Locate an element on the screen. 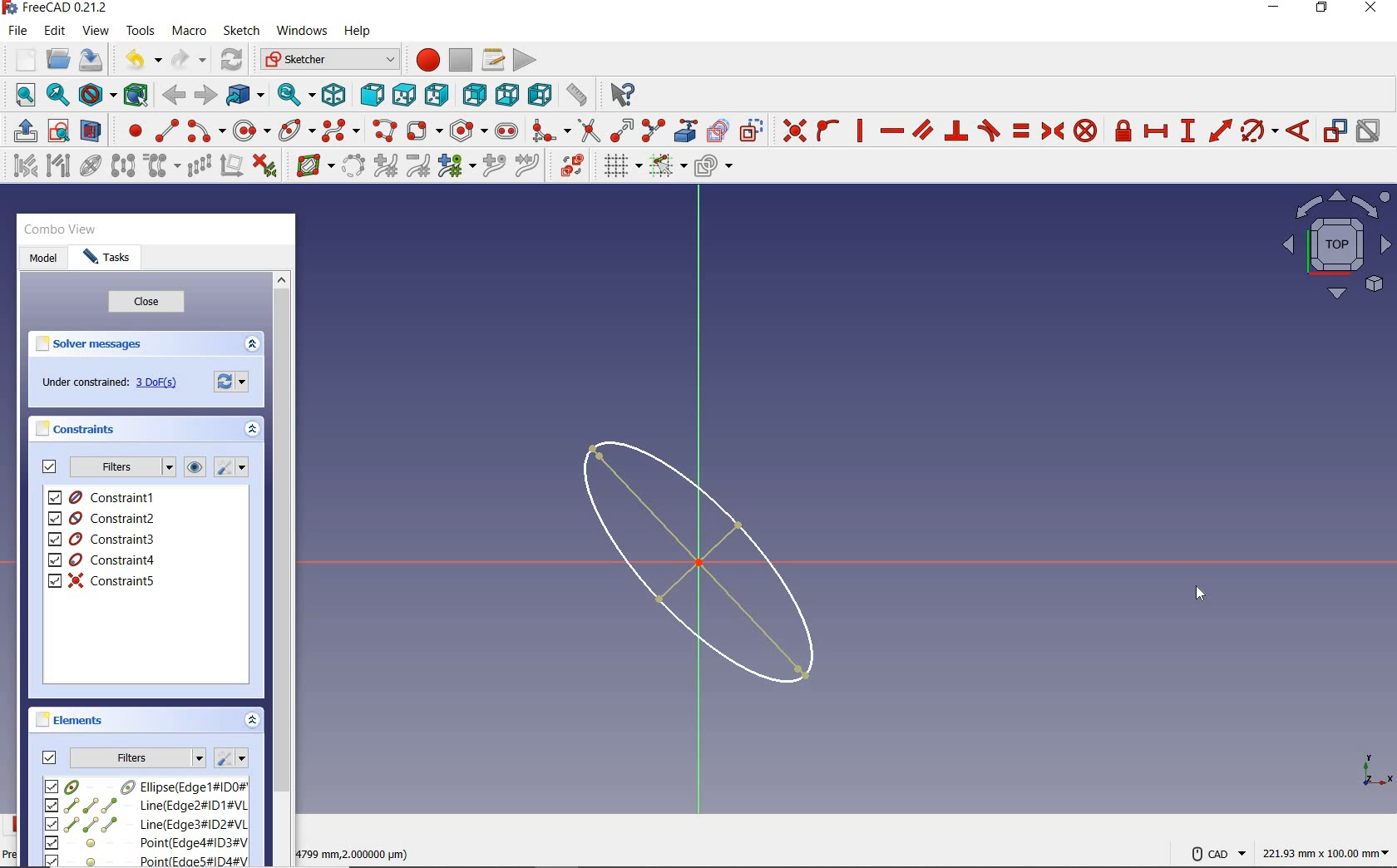 The image size is (1397, 868). collapse is located at coordinates (253, 722).